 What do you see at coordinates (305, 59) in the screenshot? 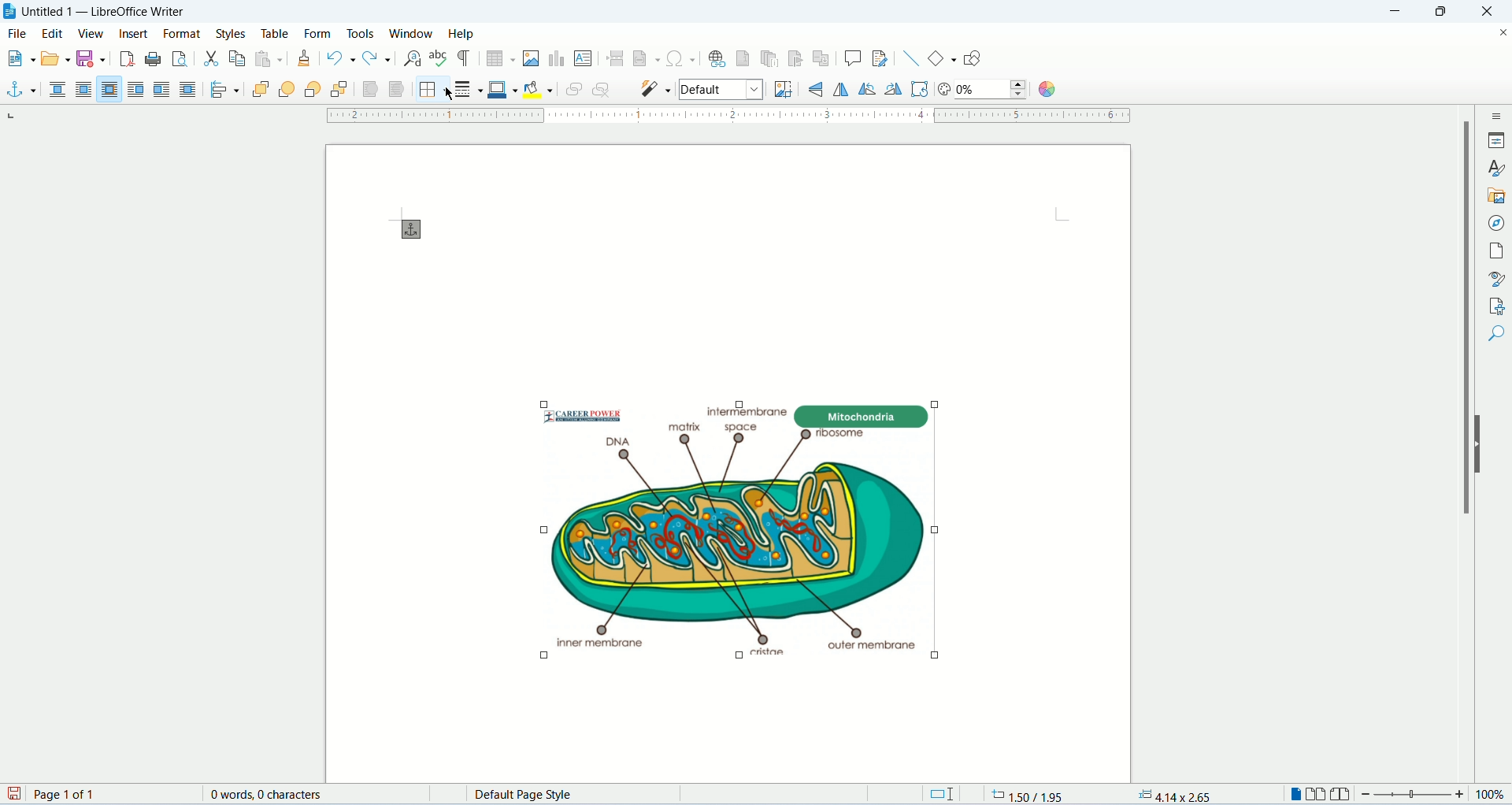
I see `clone formatting` at bounding box center [305, 59].